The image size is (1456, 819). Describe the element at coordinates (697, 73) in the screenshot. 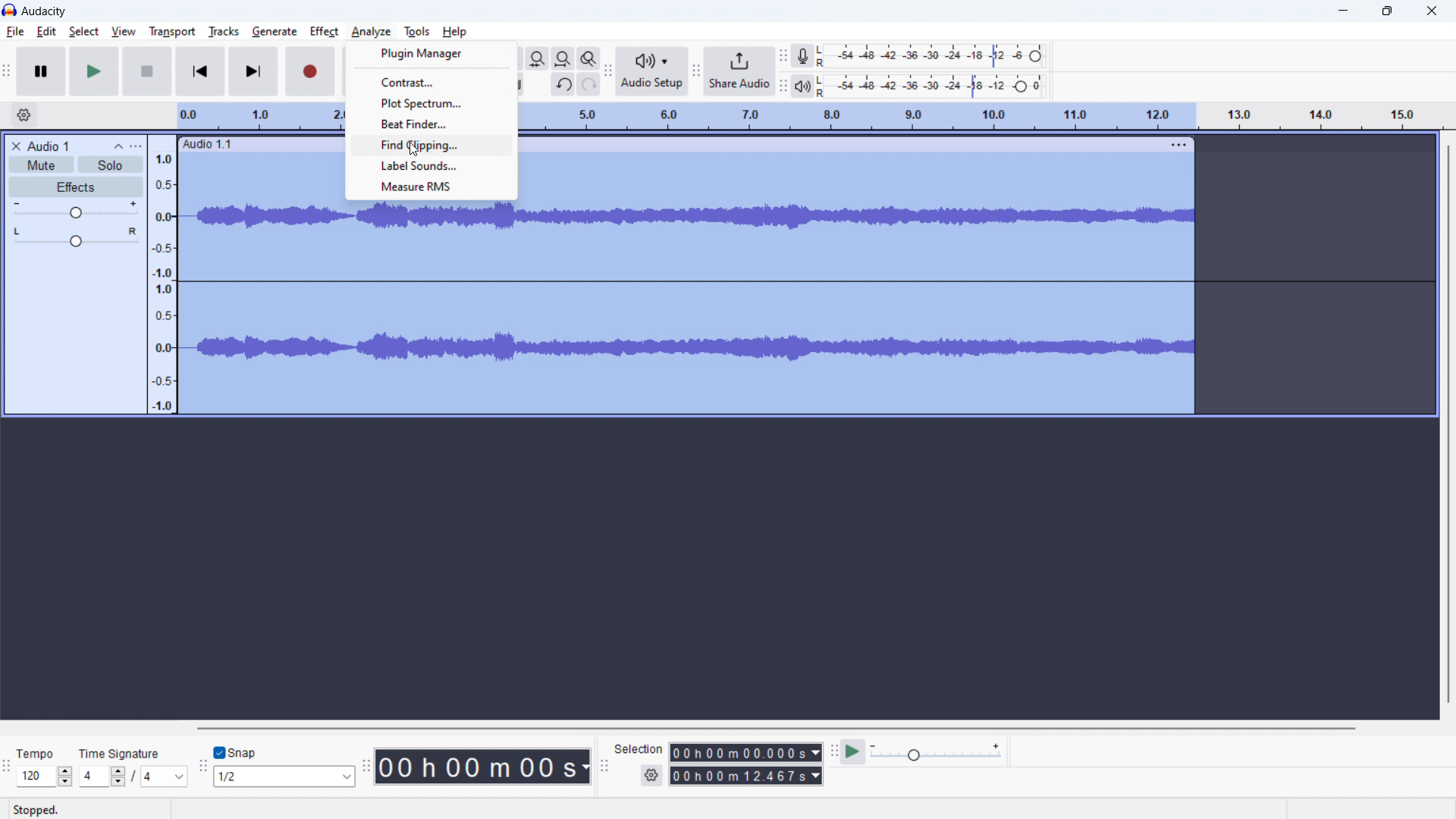

I see `share audio toolbar` at that location.